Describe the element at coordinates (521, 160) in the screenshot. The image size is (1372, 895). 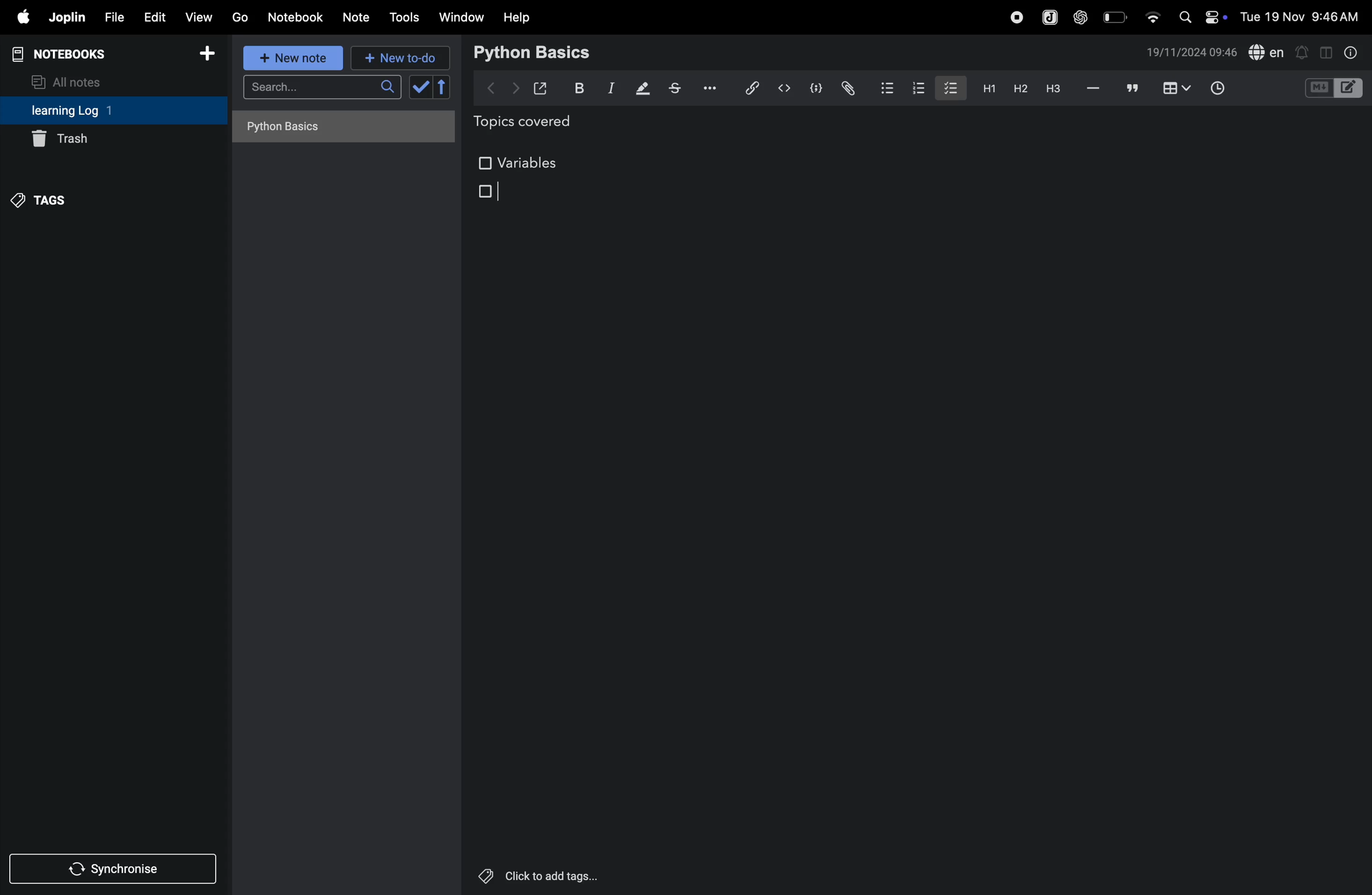
I see `variables` at that location.